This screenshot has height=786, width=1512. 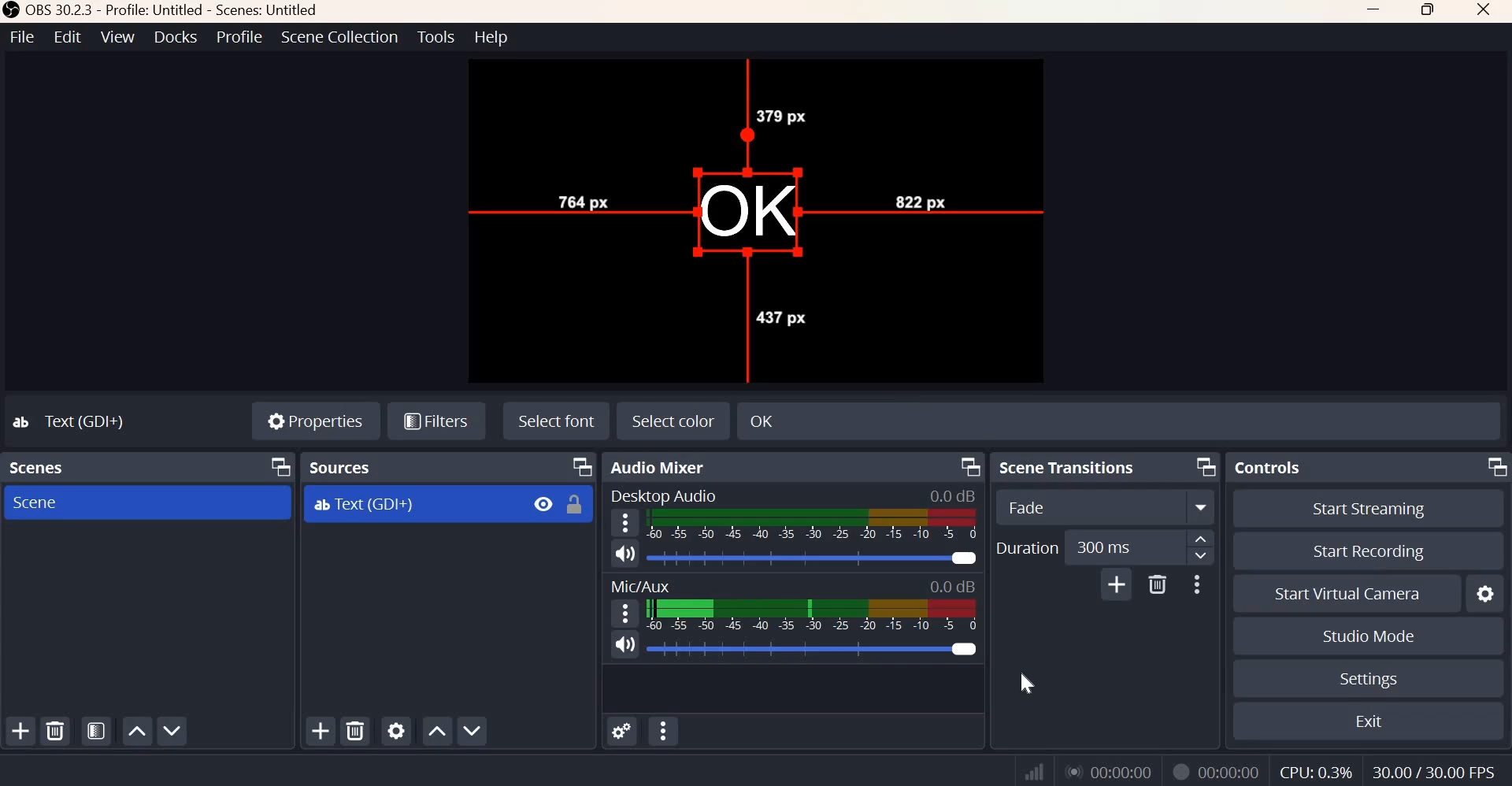 What do you see at coordinates (1232, 770) in the screenshot?
I see `Recording Timer` at bounding box center [1232, 770].